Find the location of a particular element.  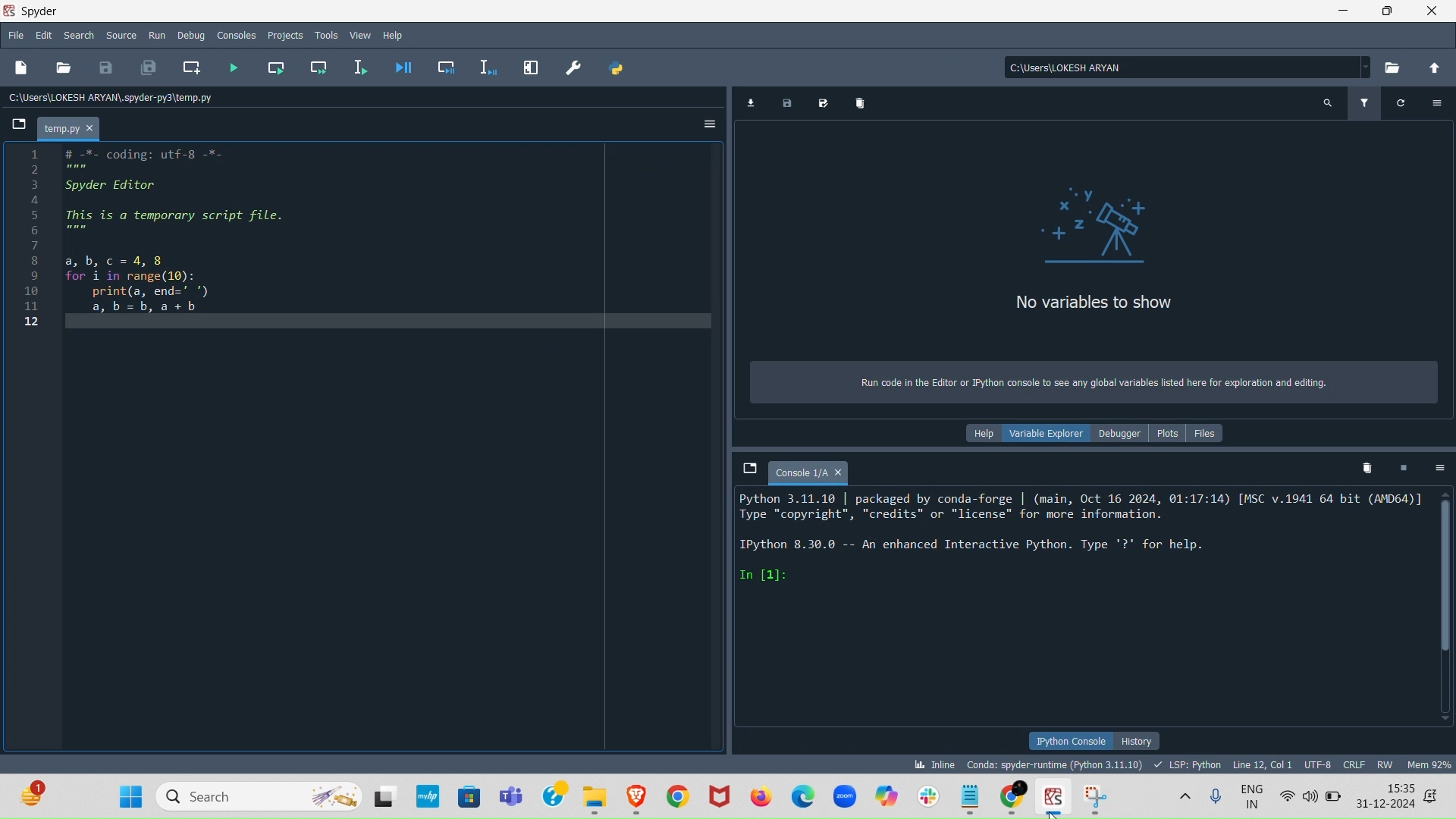

Remove all variables is located at coordinates (859, 102).